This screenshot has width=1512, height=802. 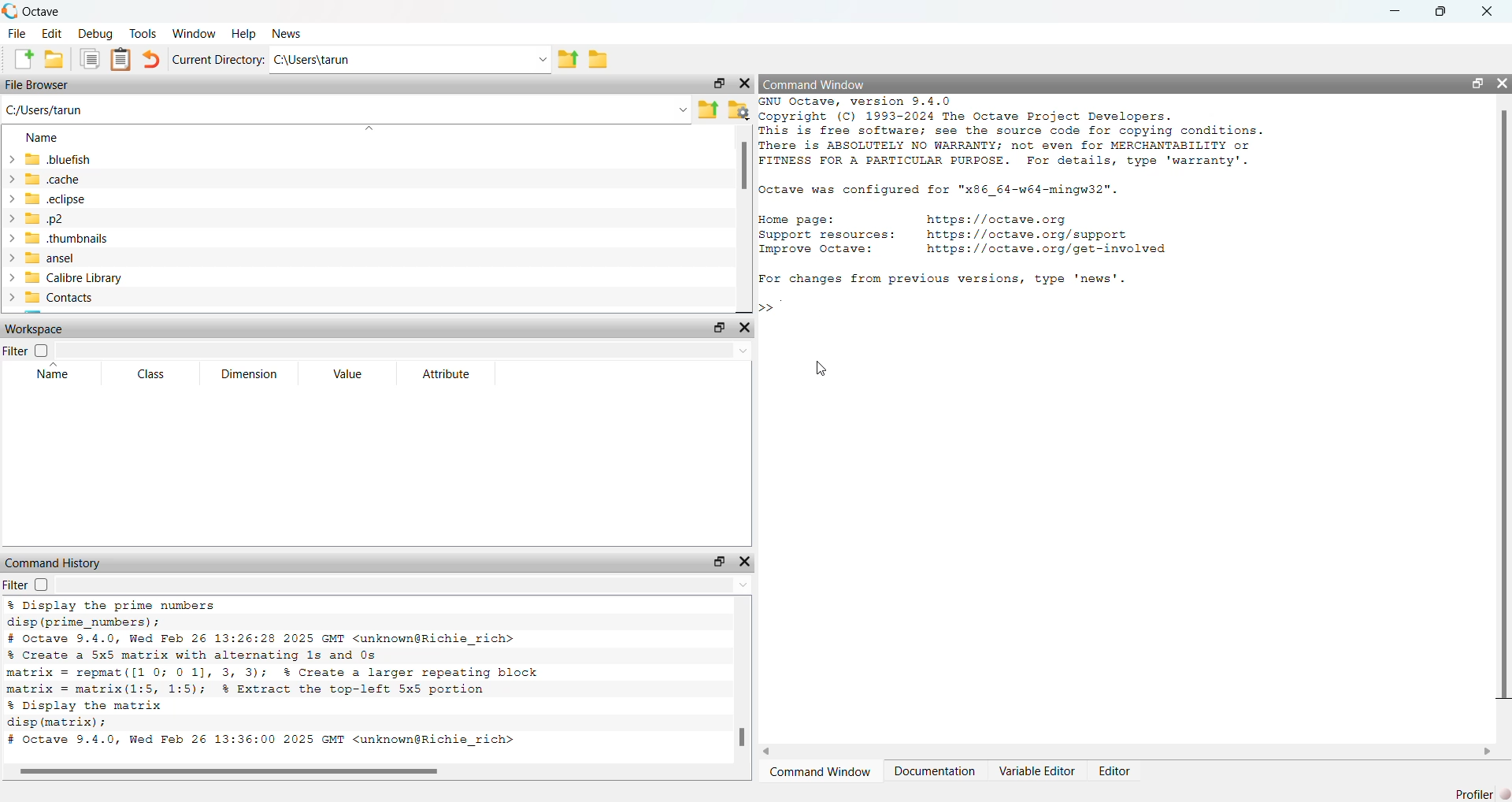 I want to click on octave resources, so click(x=999, y=234).